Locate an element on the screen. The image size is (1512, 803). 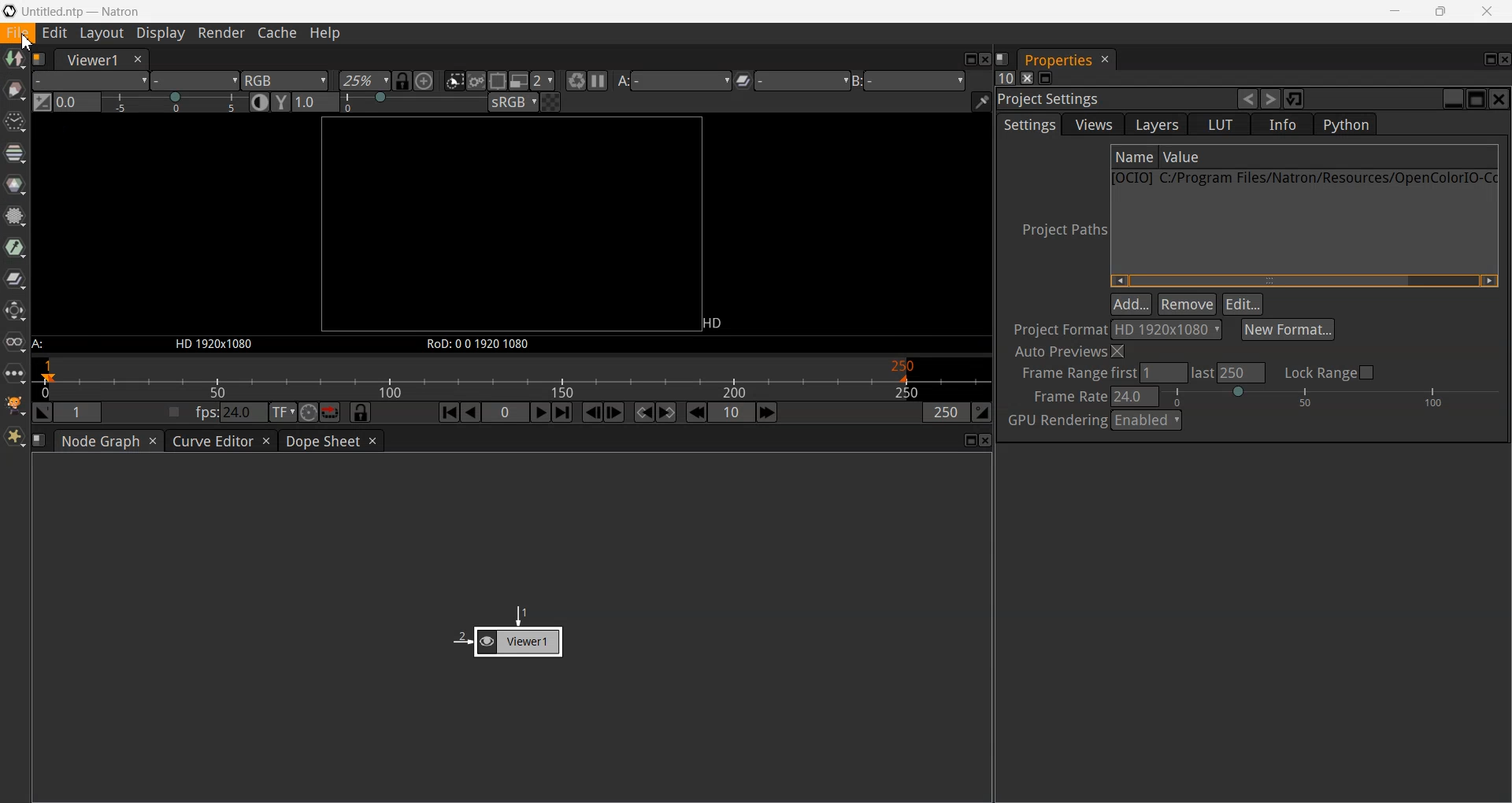
Manage layout is located at coordinates (1002, 58).